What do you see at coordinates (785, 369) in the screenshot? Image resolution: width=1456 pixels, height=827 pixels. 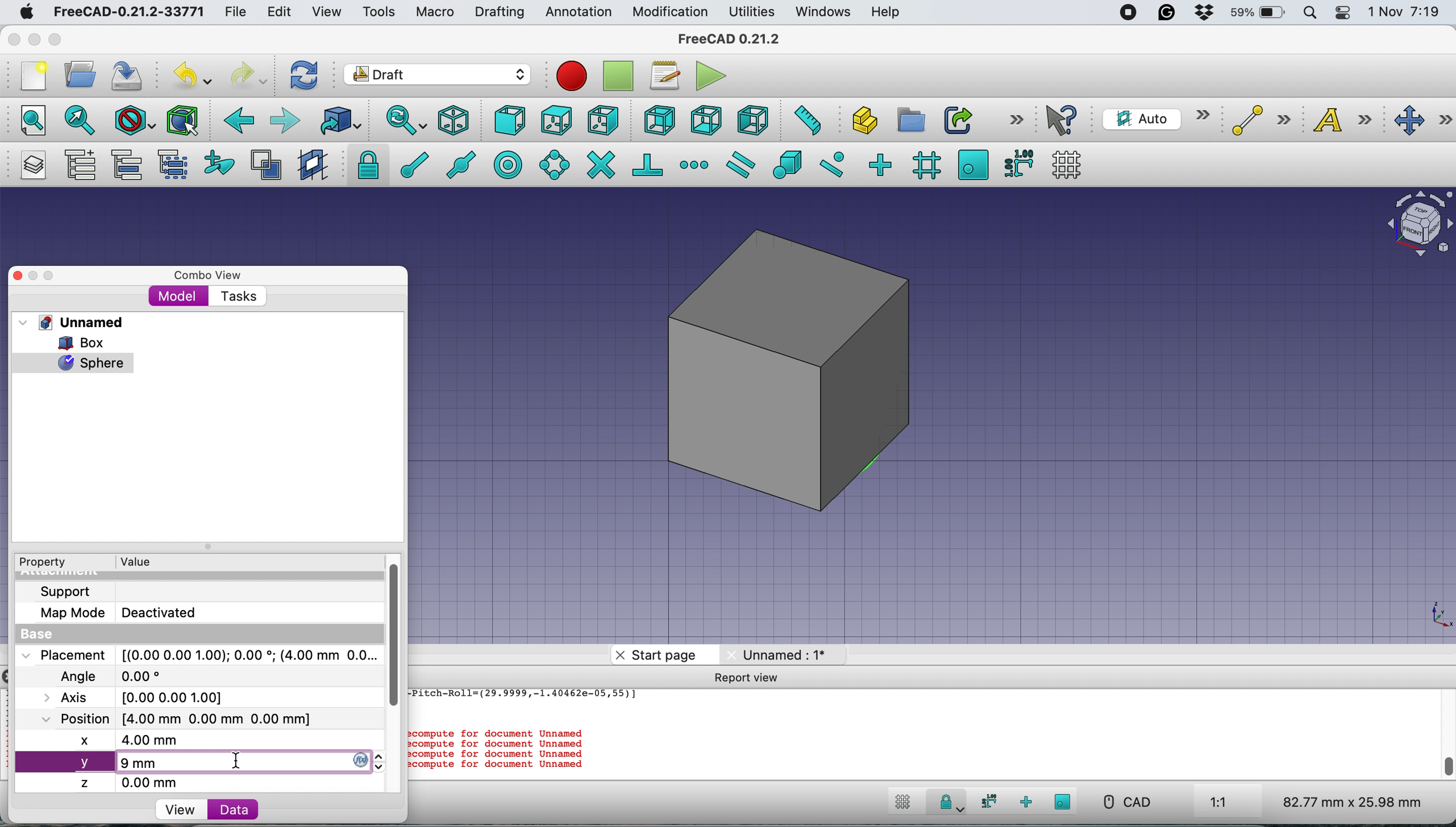 I see `box` at bounding box center [785, 369].